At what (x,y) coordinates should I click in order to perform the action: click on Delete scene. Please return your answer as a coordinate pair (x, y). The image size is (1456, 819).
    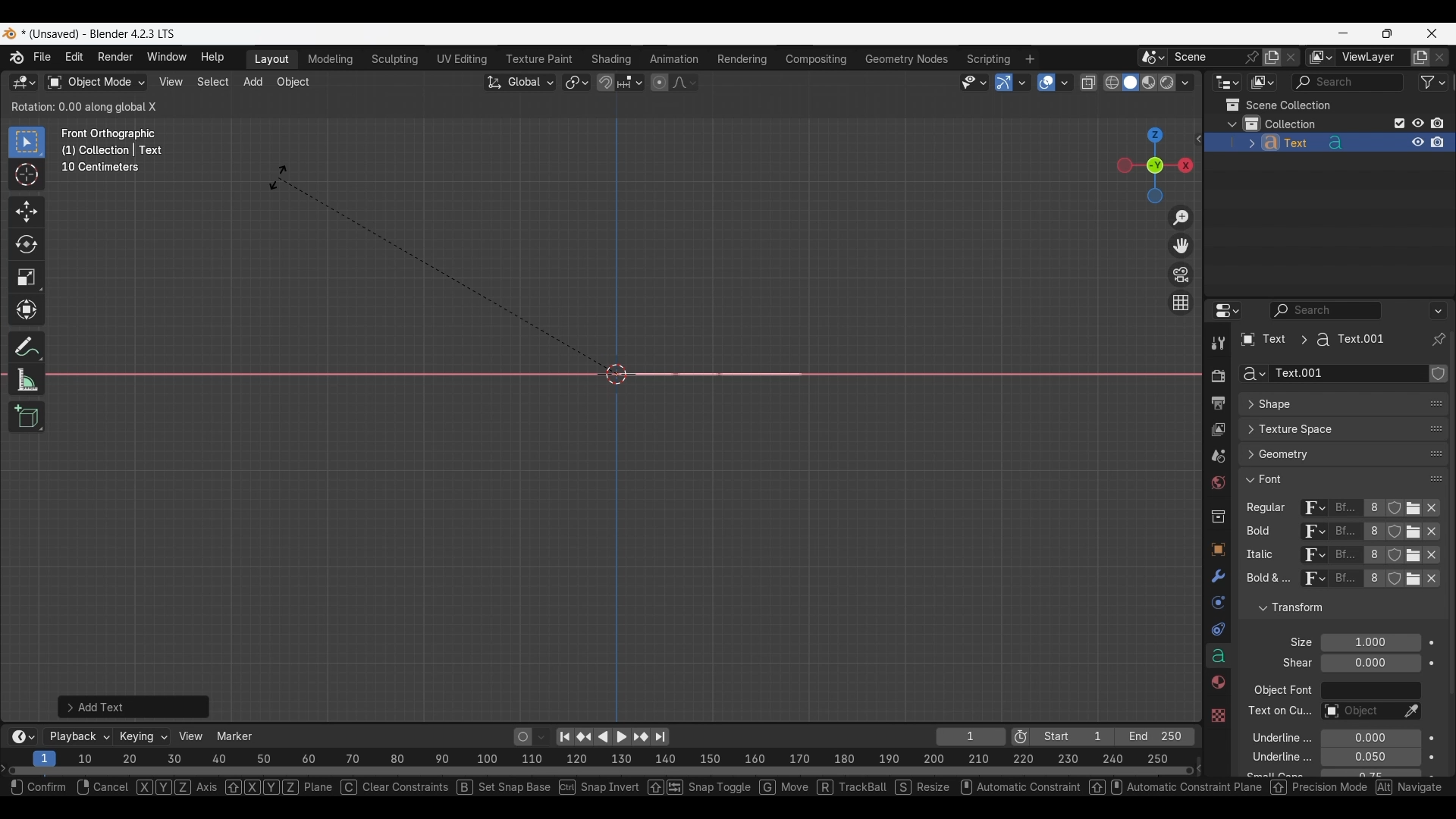
    Looking at the image, I should click on (1291, 58).